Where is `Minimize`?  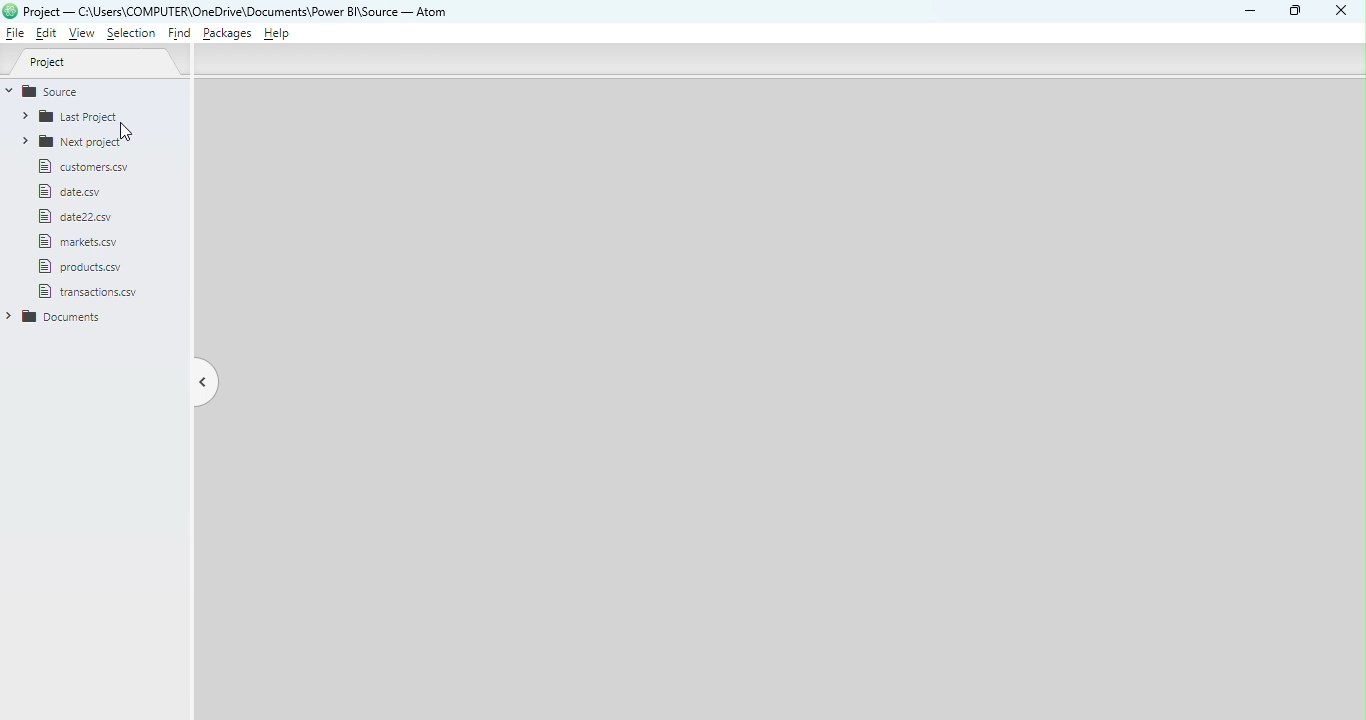 Minimize is located at coordinates (1251, 12).